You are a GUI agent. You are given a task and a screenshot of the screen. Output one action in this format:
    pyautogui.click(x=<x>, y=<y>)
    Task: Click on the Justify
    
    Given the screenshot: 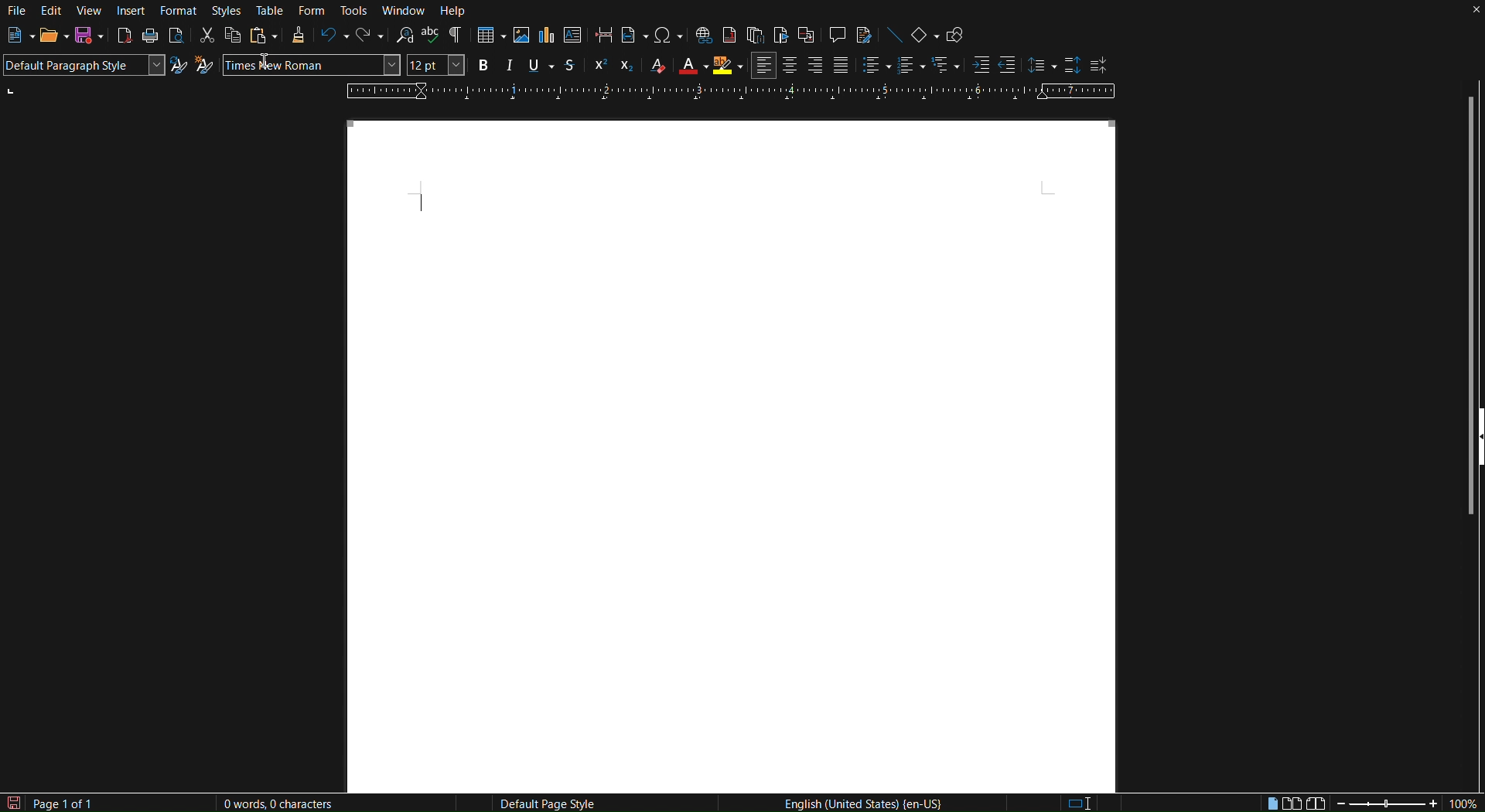 What is the action you would take?
    pyautogui.click(x=841, y=67)
    